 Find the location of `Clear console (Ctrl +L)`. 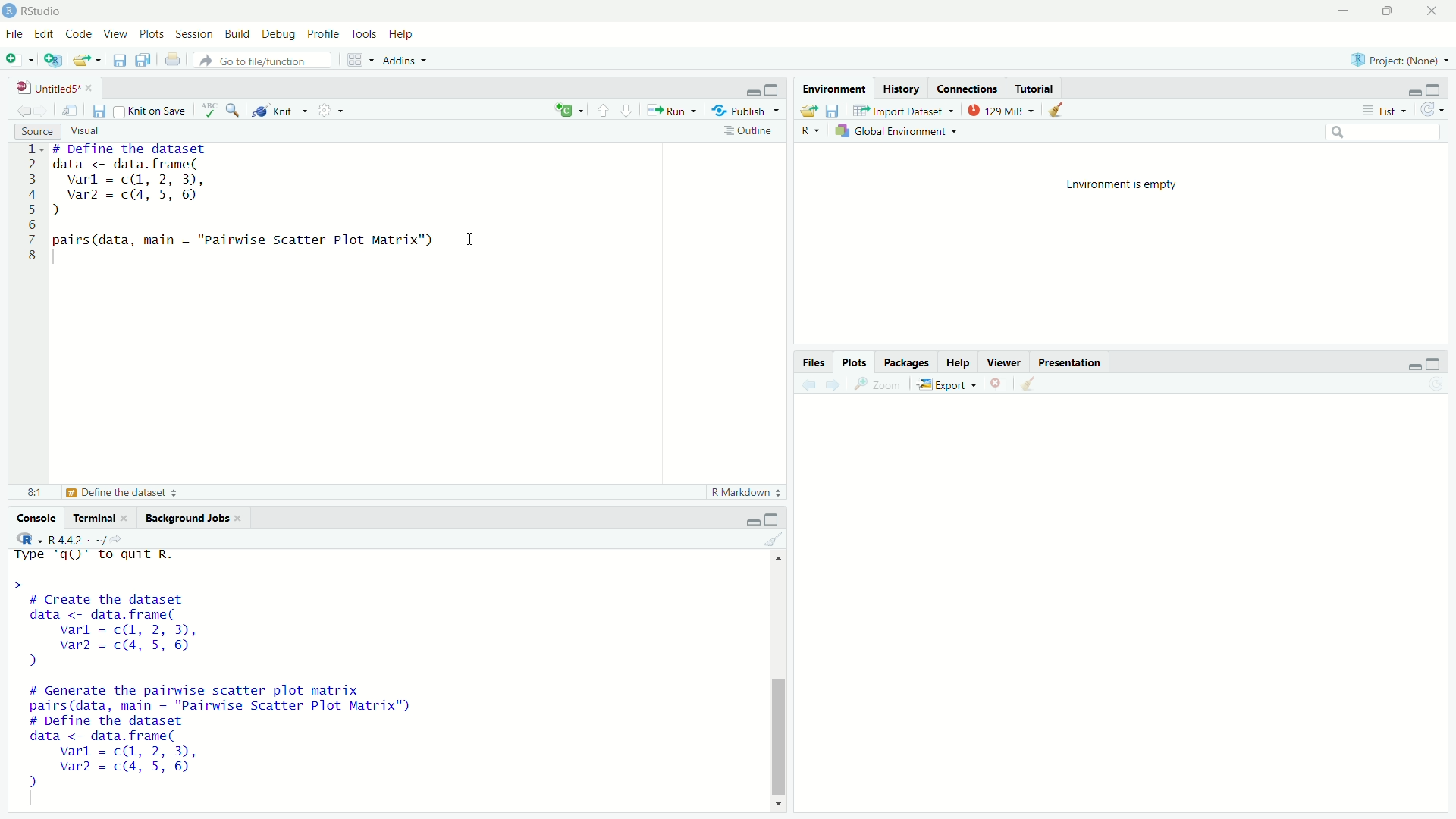

Clear console (Ctrl +L) is located at coordinates (783, 539).